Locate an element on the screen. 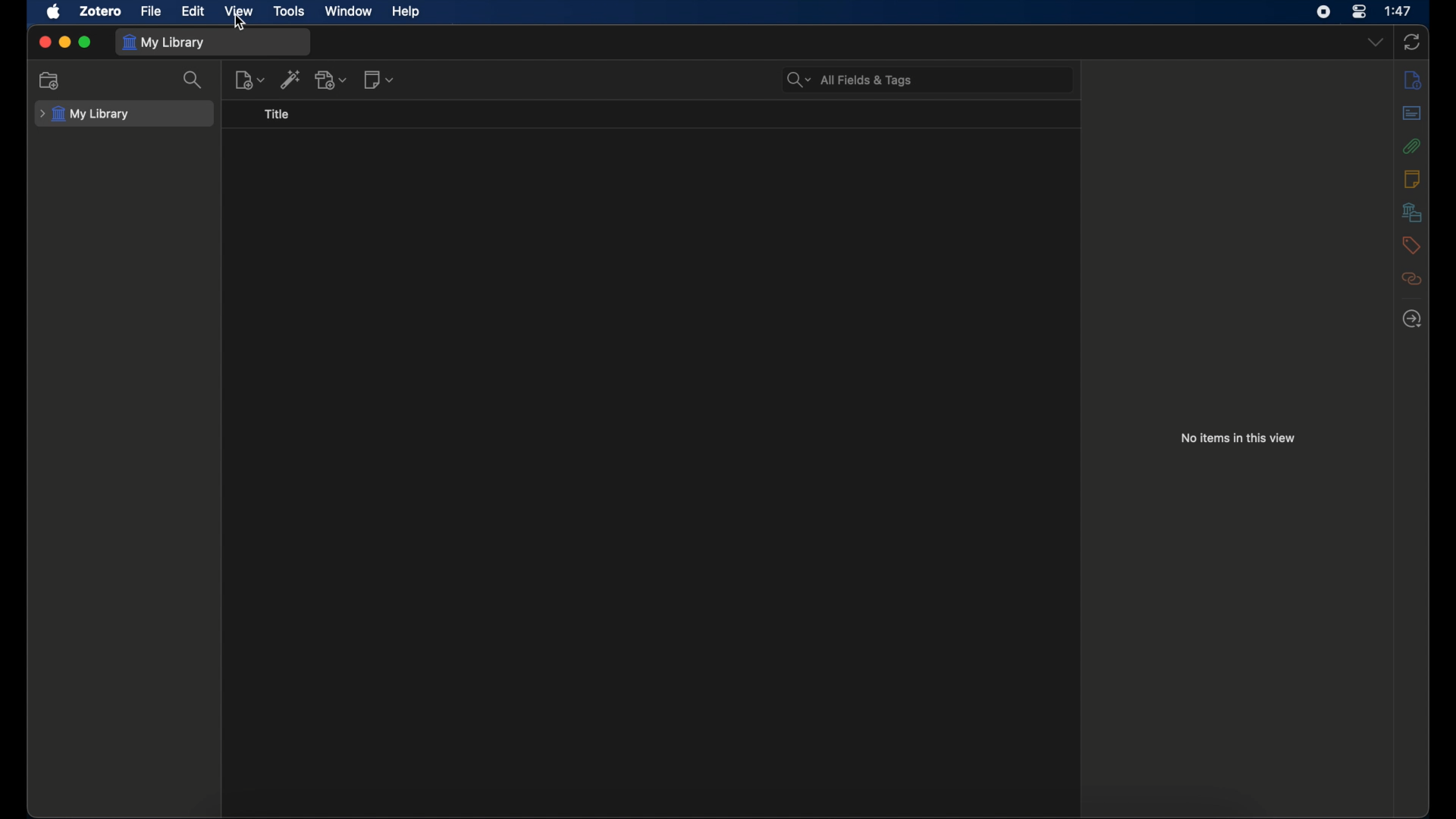  sync is located at coordinates (1412, 42).